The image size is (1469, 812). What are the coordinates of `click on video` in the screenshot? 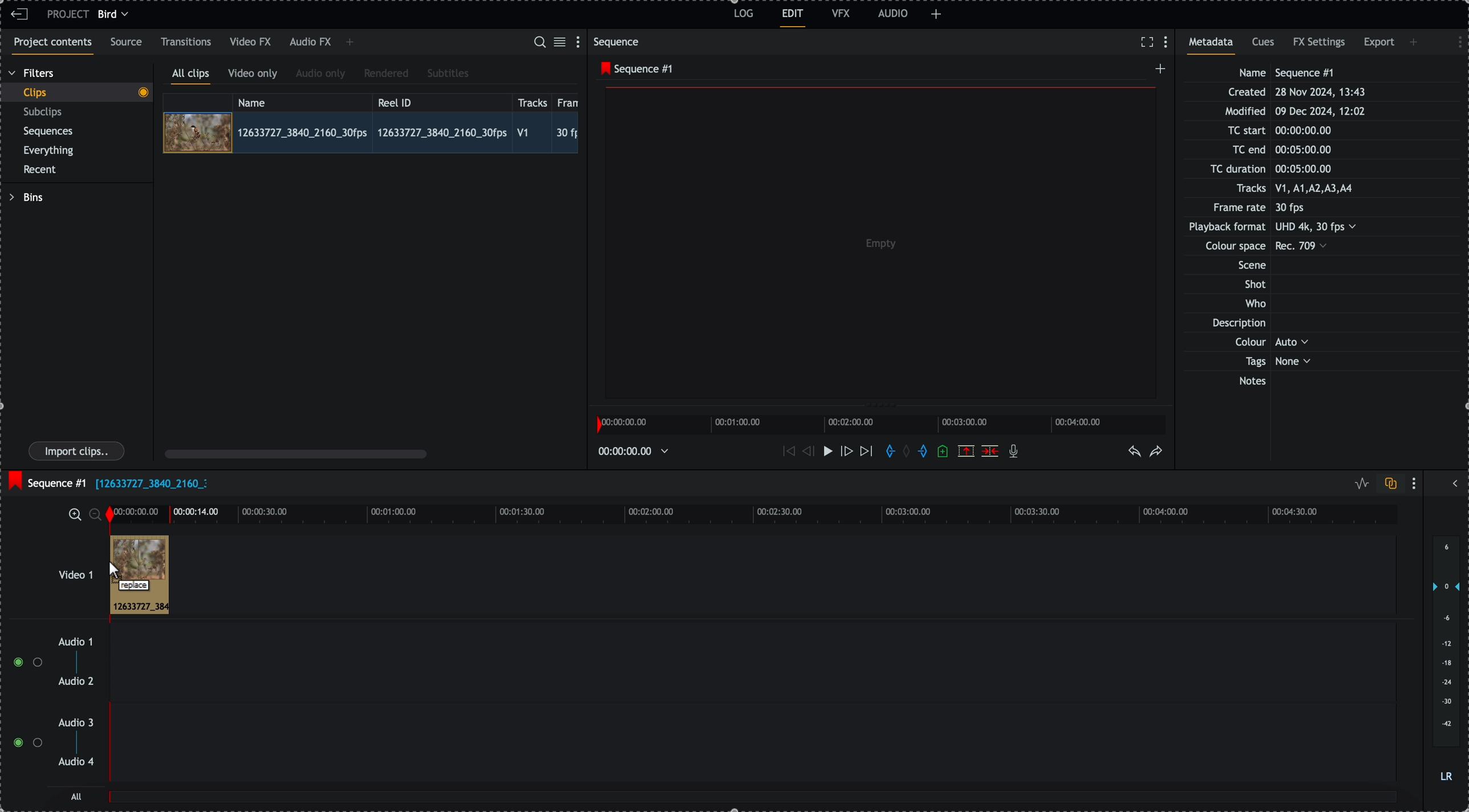 It's located at (371, 132).